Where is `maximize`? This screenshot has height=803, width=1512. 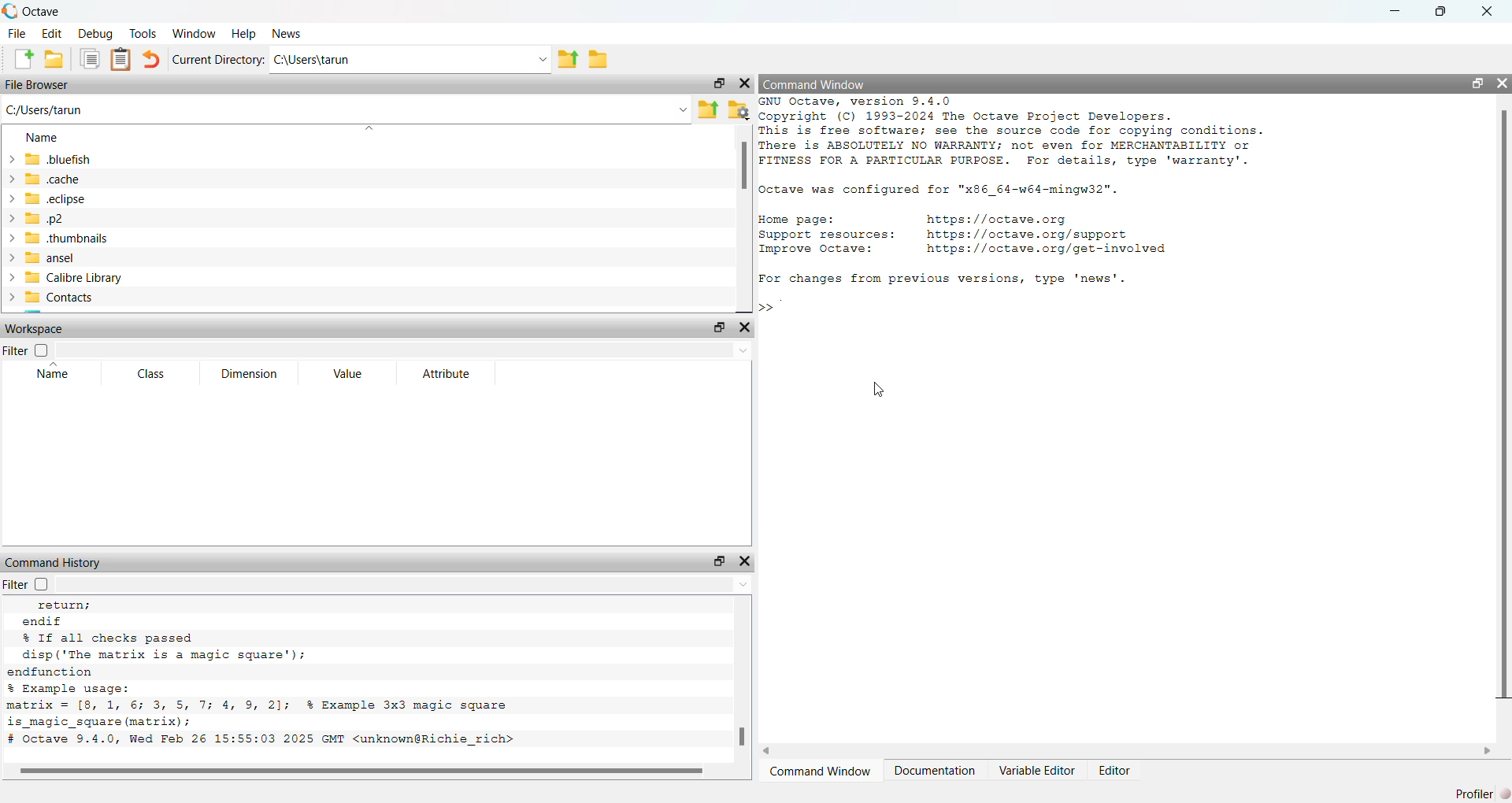 maximize is located at coordinates (718, 327).